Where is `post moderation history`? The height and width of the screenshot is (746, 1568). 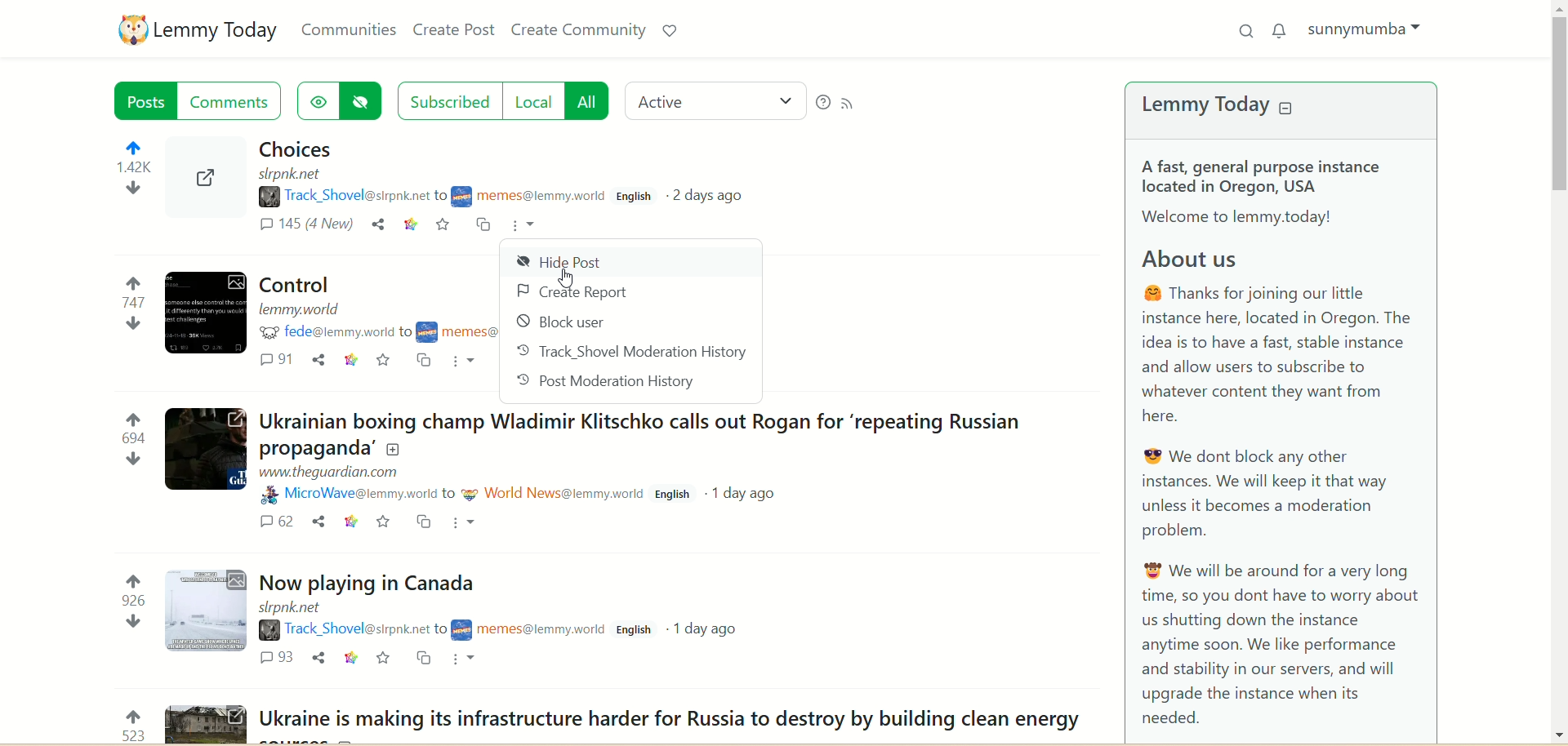 post moderation history is located at coordinates (610, 384).